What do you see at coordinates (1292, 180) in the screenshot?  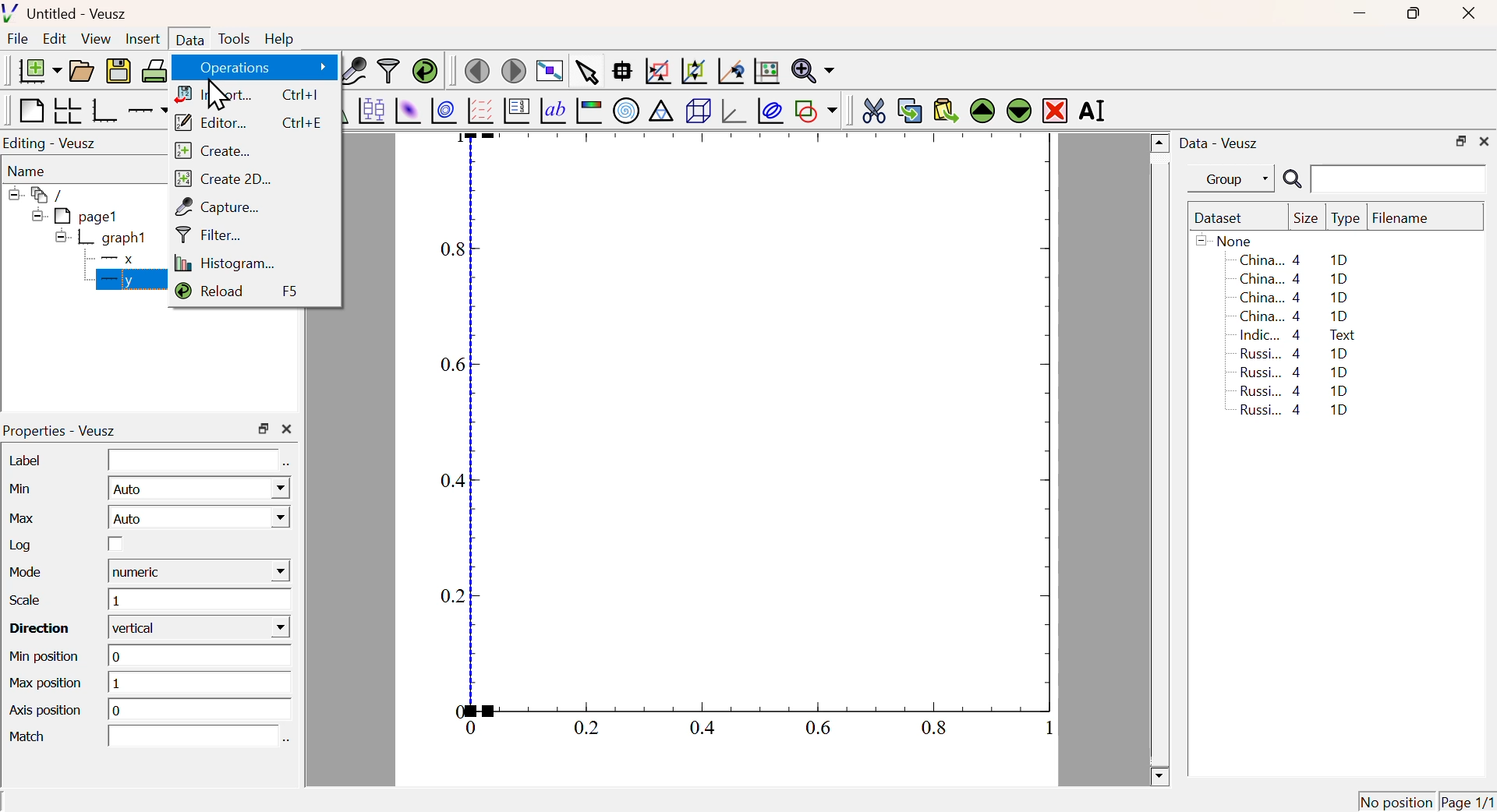 I see `Search` at bounding box center [1292, 180].